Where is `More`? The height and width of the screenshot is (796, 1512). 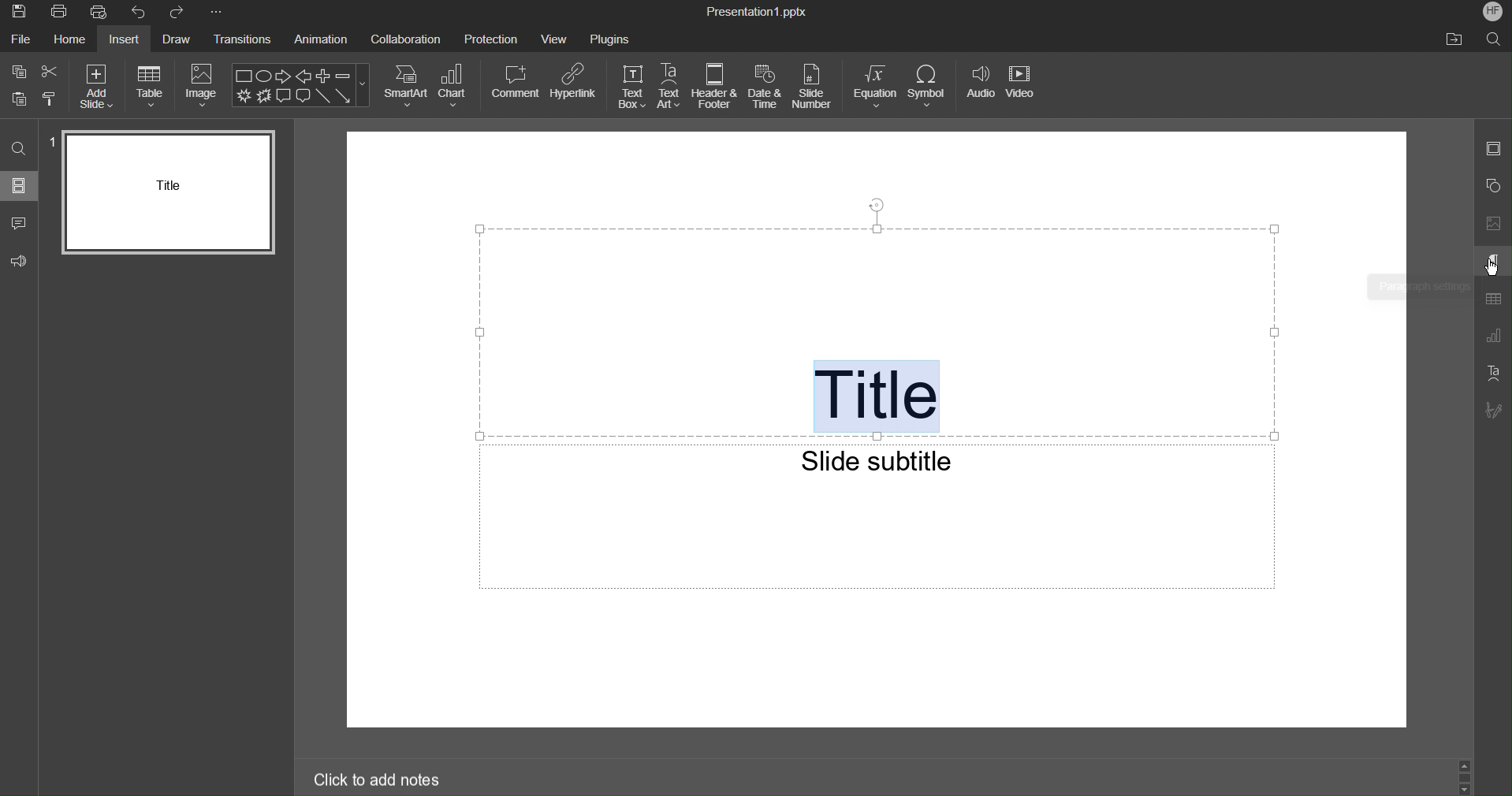
More is located at coordinates (220, 13).